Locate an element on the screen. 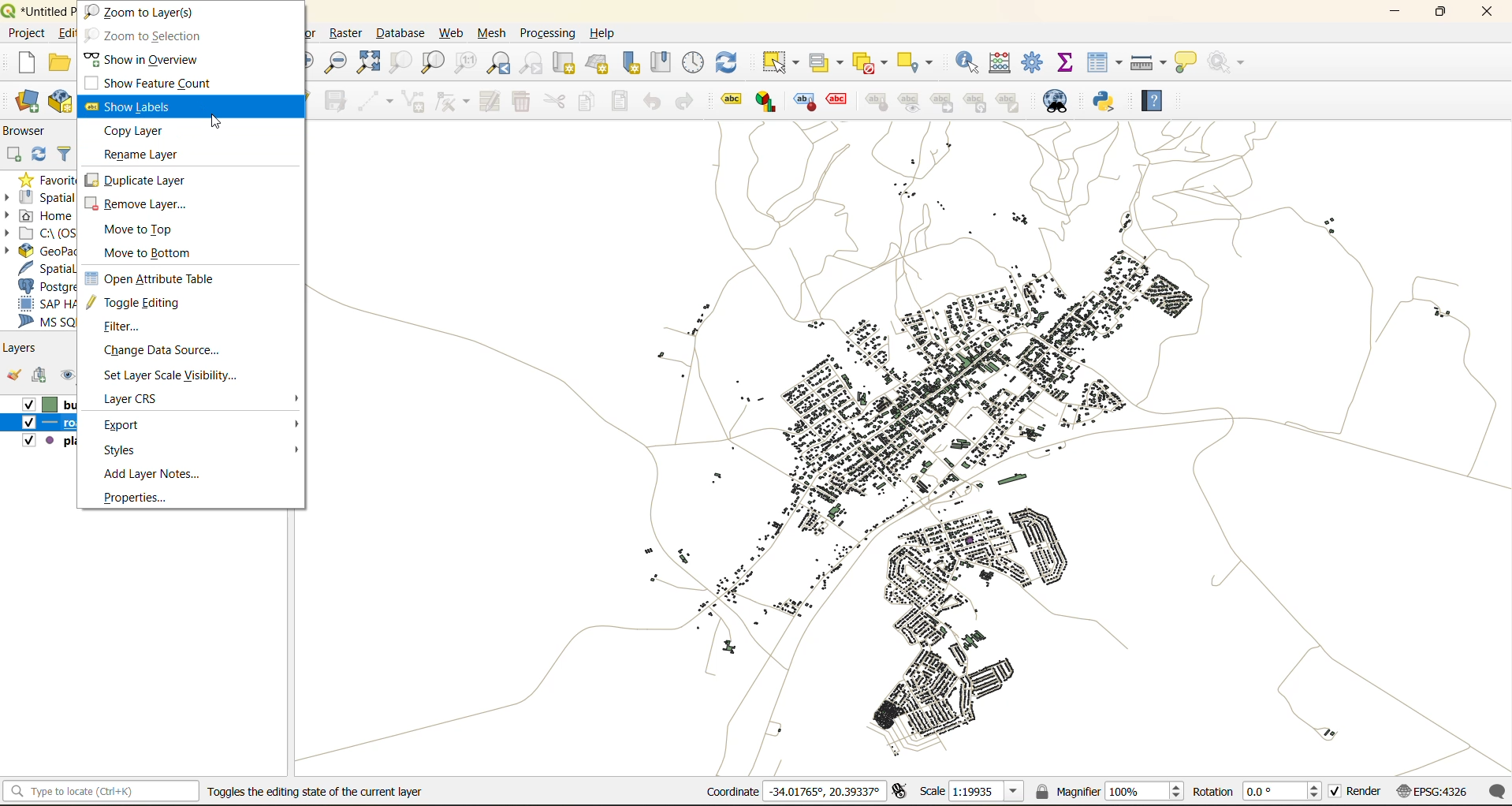  control panel  is located at coordinates (695, 65).